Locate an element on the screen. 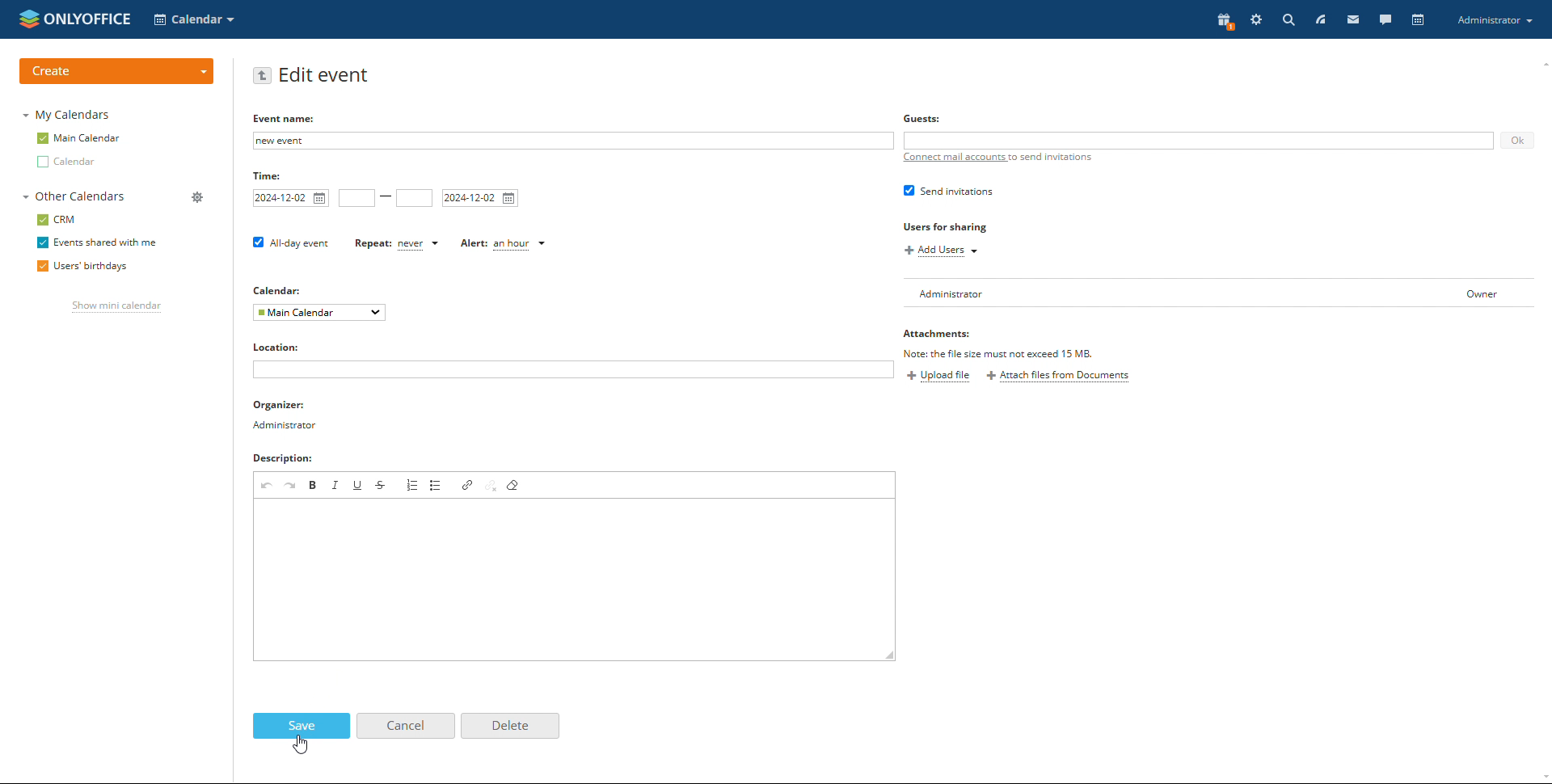 The height and width of the screenshot is (784, 1552). italic is located at coordinates (335, 485).